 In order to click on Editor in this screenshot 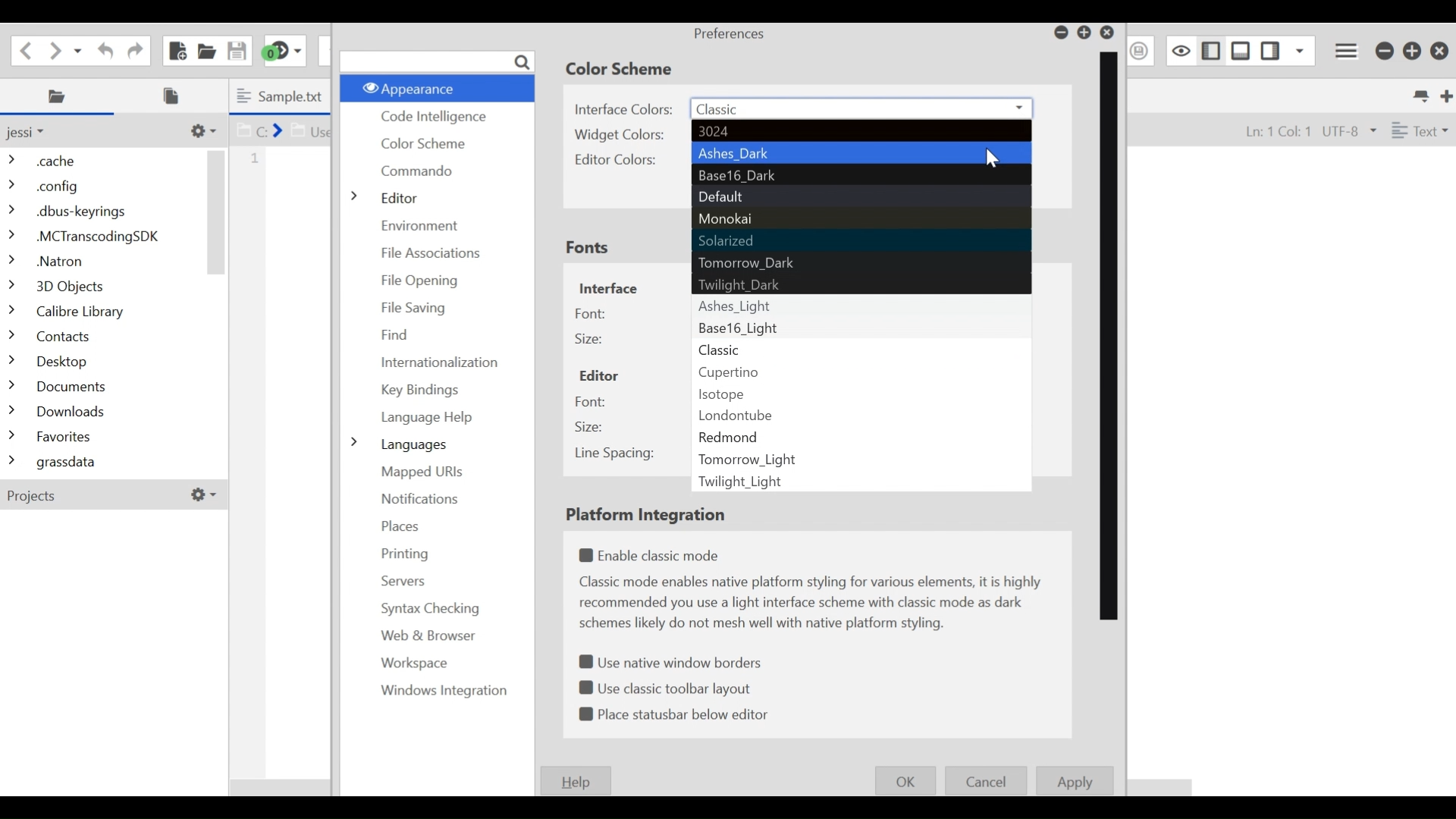, I will do `click(599, 376)`.